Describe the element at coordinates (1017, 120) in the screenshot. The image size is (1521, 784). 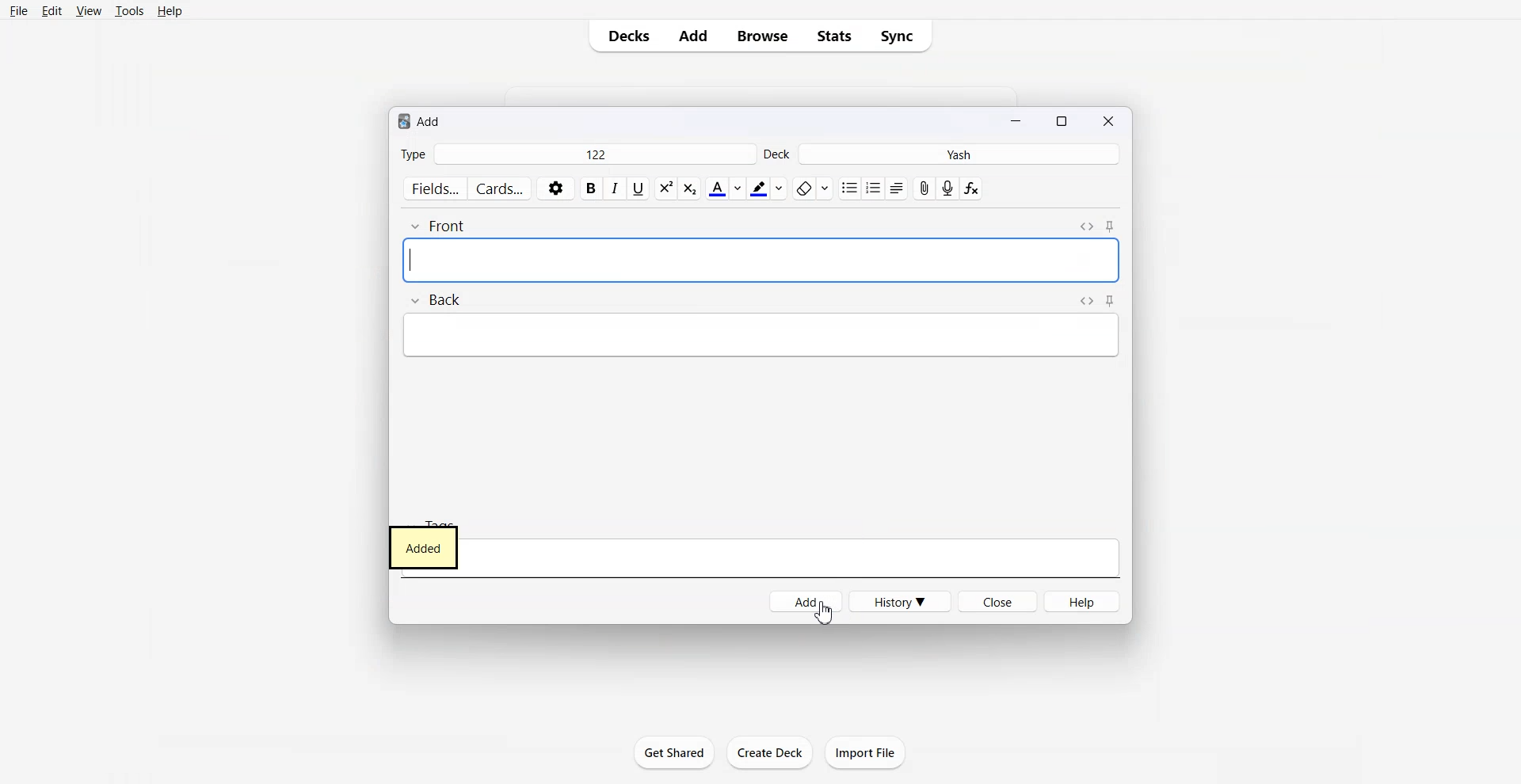
I see `Minimize` at that location.